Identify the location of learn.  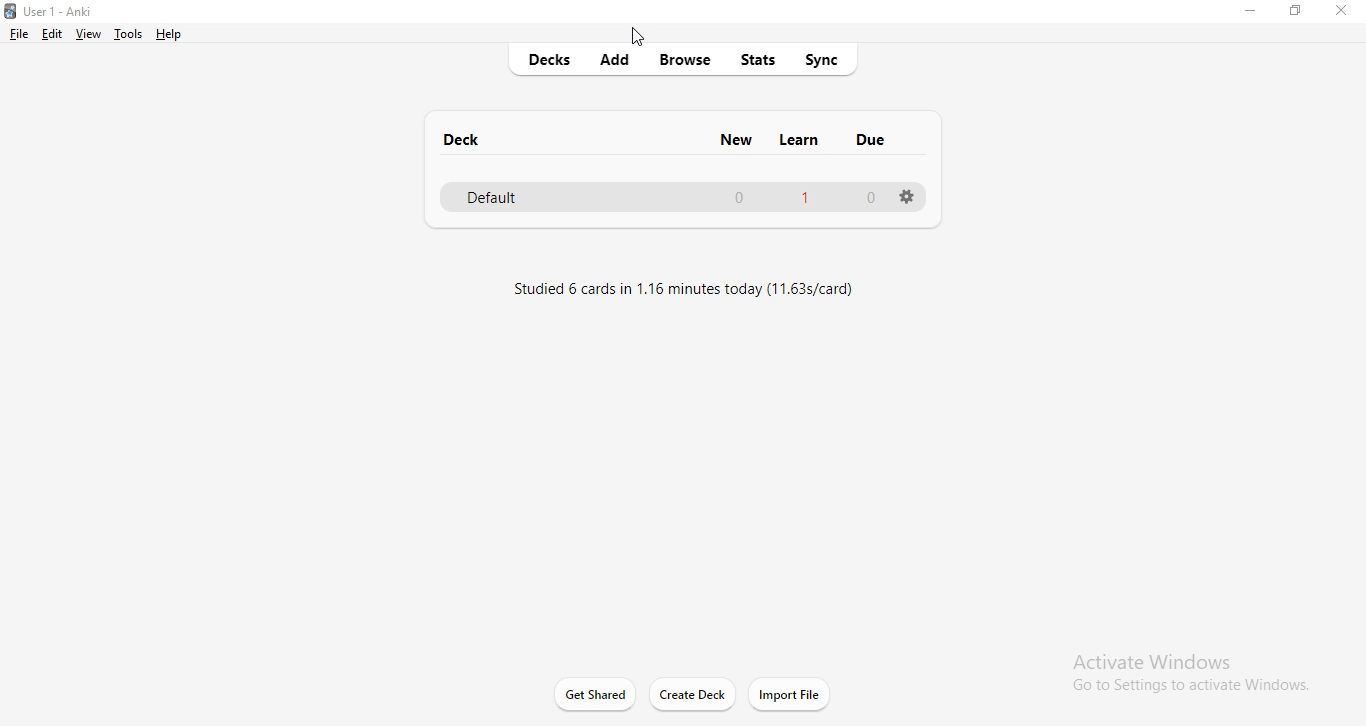
(805, 139).